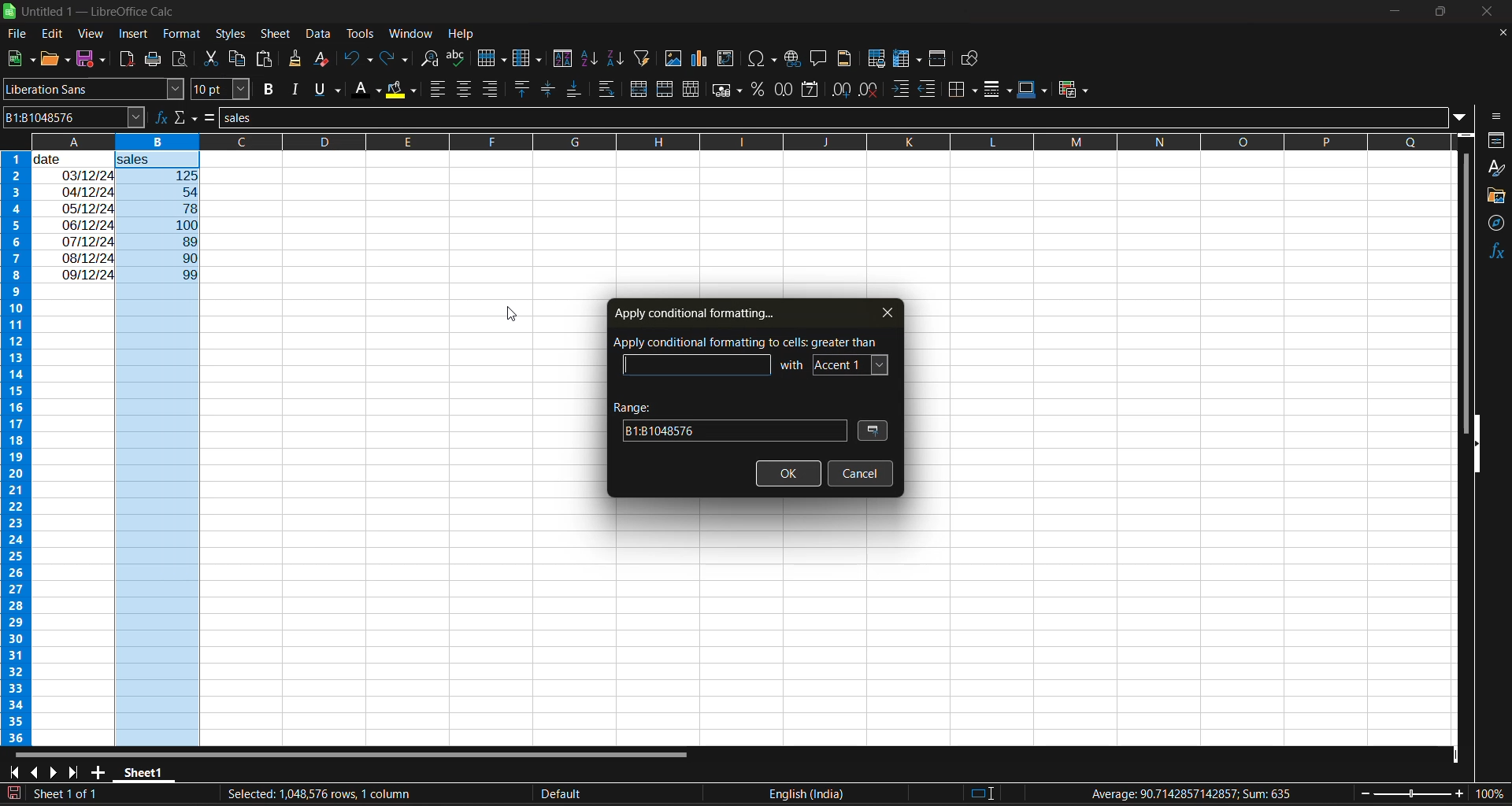  I want to click on functions, so click(1493, 253).